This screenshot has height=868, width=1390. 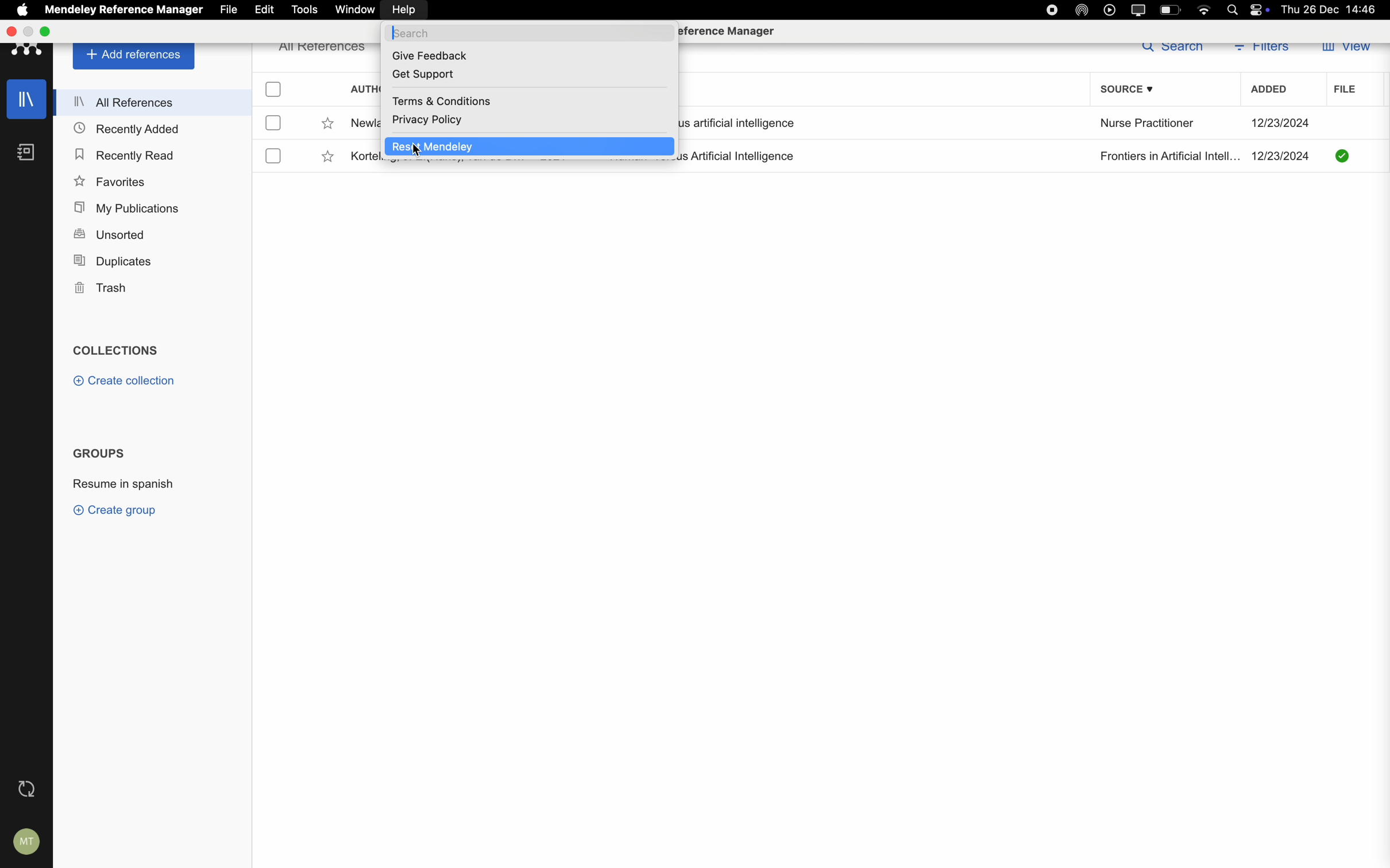 I want to click on click on help, so click(x=407, y=10).